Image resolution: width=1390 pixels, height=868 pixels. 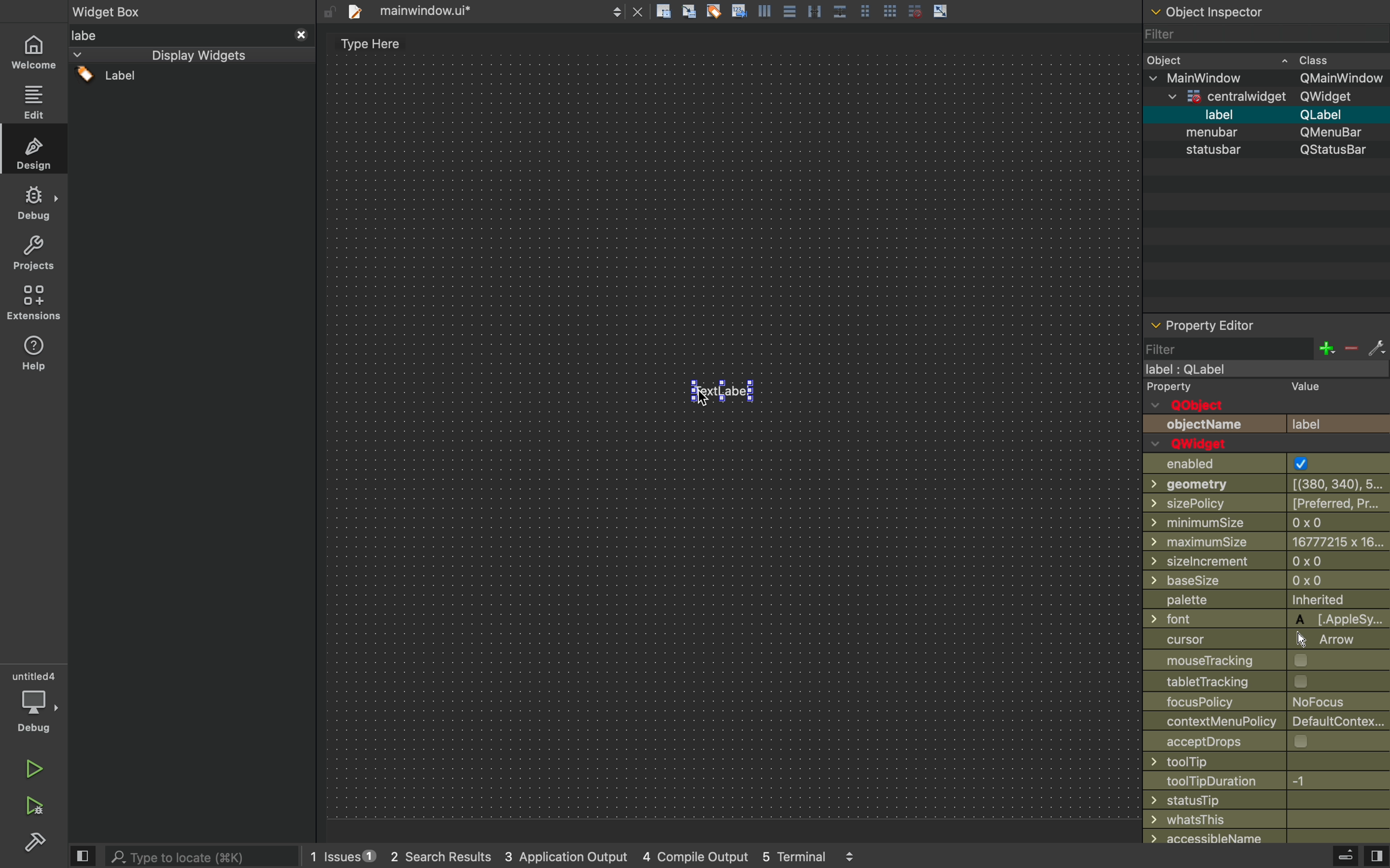 What do you see at coordinates (32, 254) in the screenshot?
I see `projects` at bounding box center [32, 254].